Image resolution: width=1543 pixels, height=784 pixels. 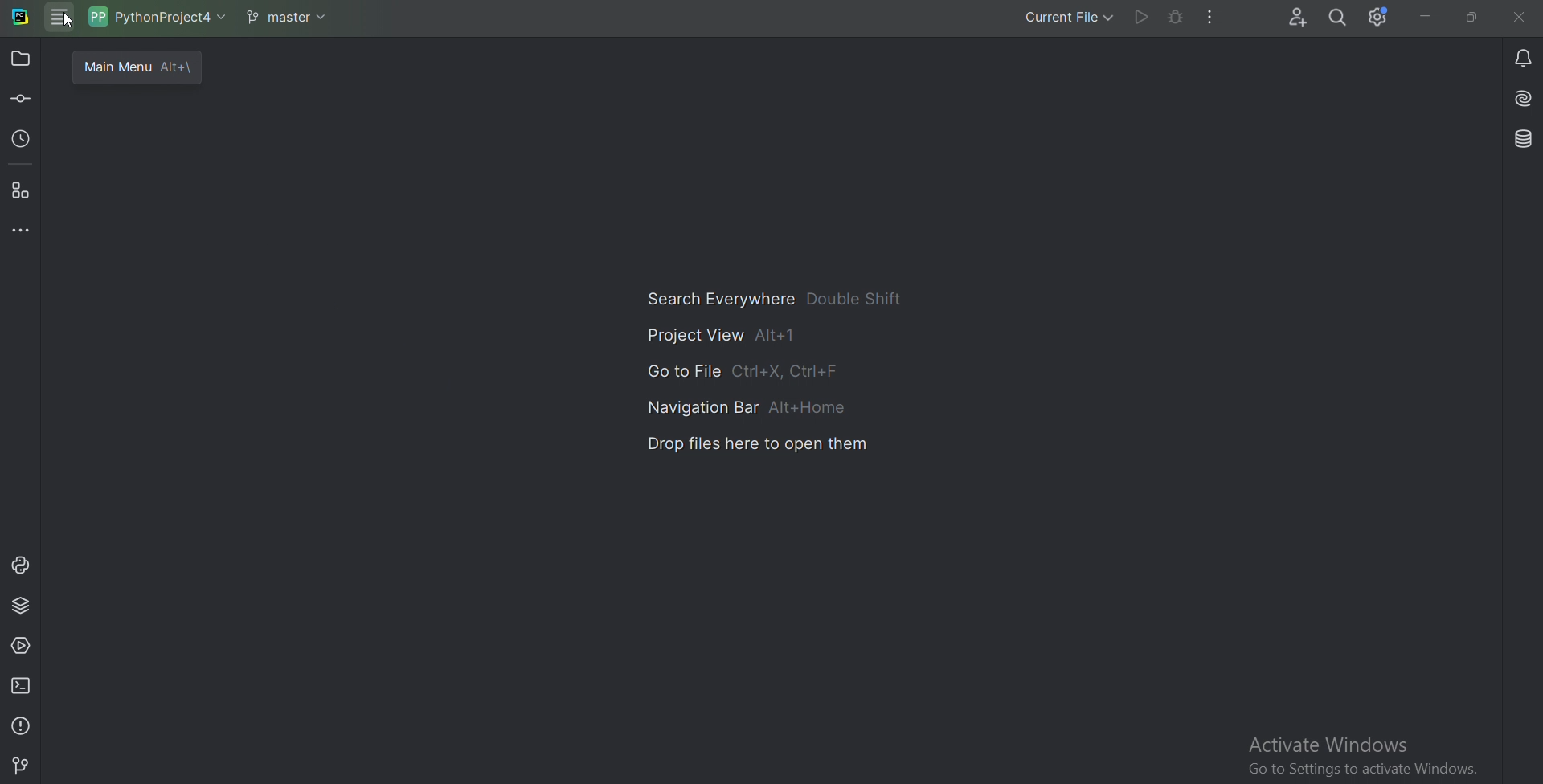 I want to click on Current file, so click(x=1068, y=19).